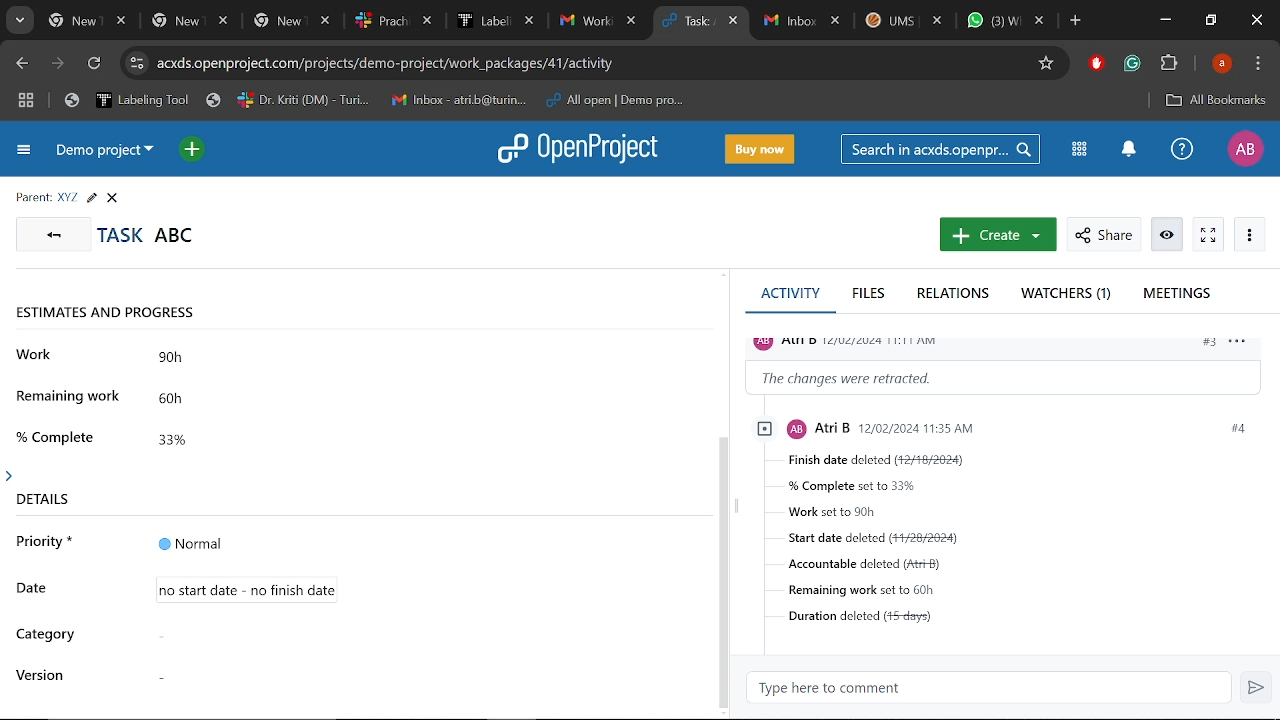 The image size is (1280, 720). I want to click on Grammerly, so click(1132, 64).